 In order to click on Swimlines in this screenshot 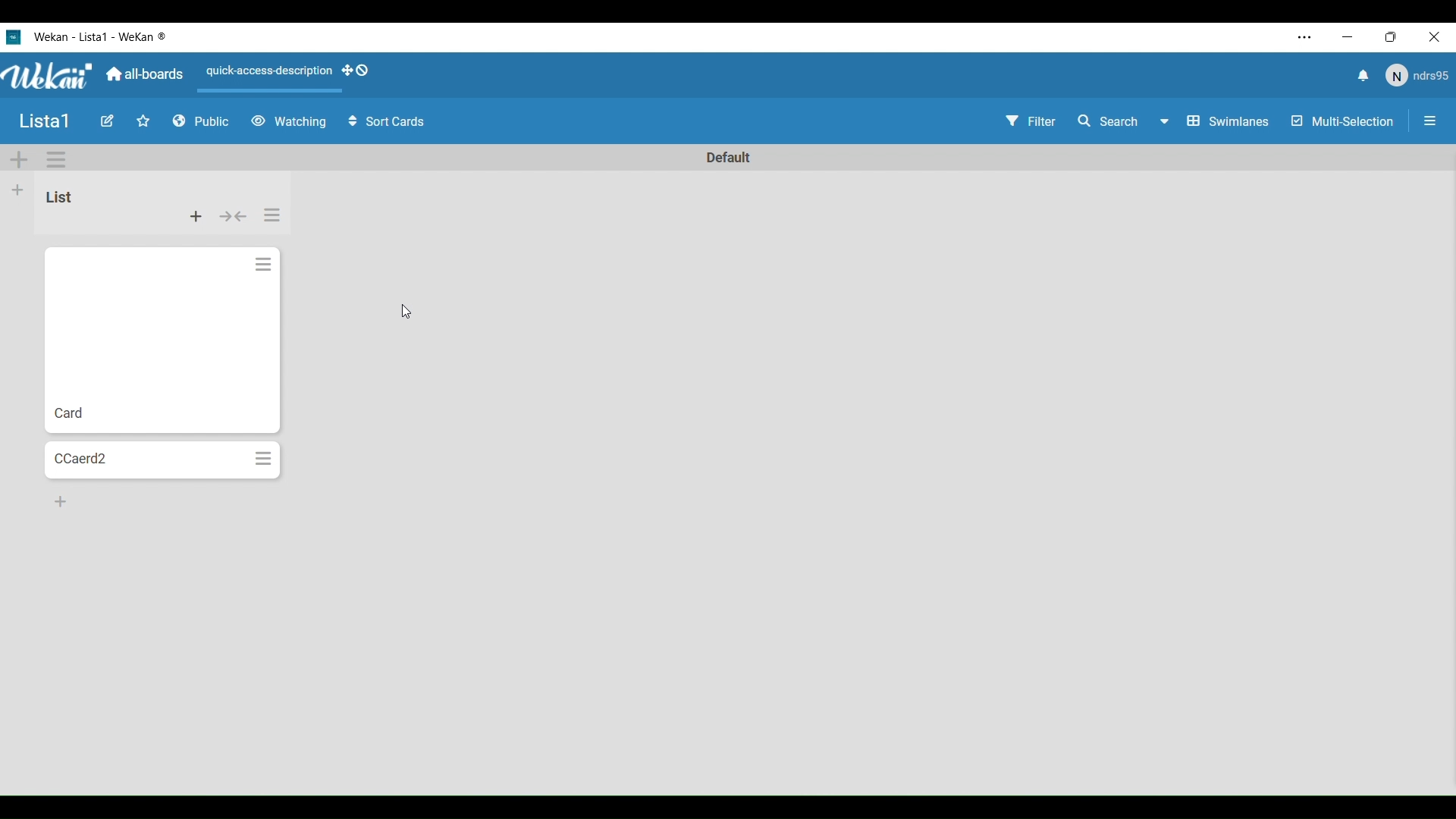, I will do `click(1230, 121)`.